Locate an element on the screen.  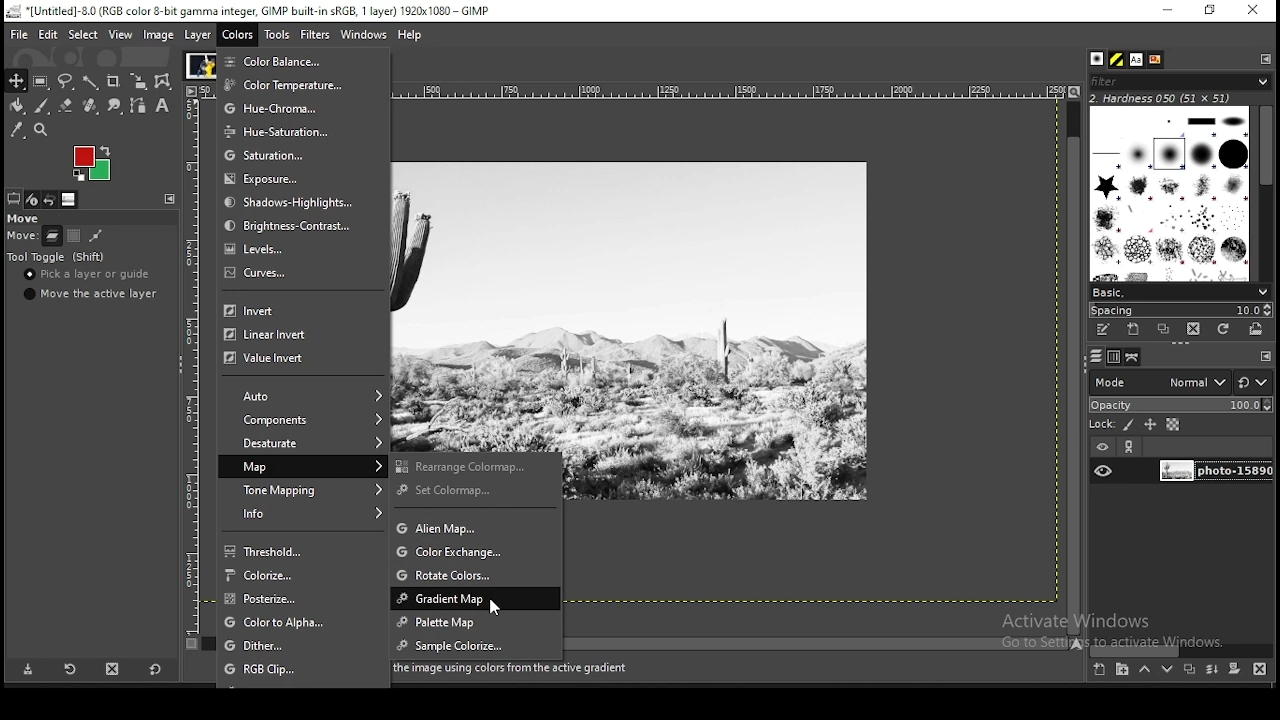
move channels is located at coordinates (74, 235).